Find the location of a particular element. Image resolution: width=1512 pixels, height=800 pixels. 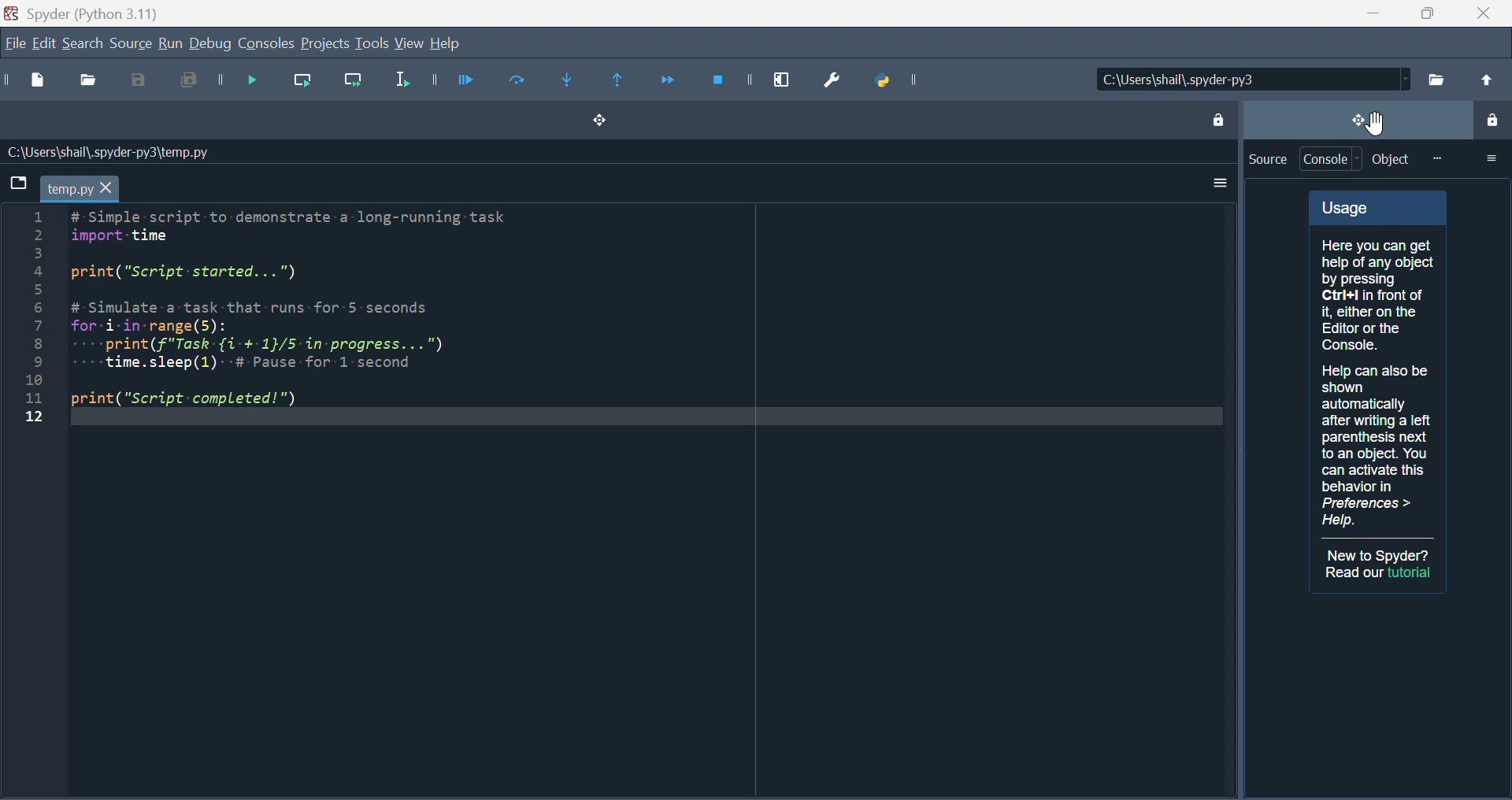

Maximise is located at coordinates (1421, 13).